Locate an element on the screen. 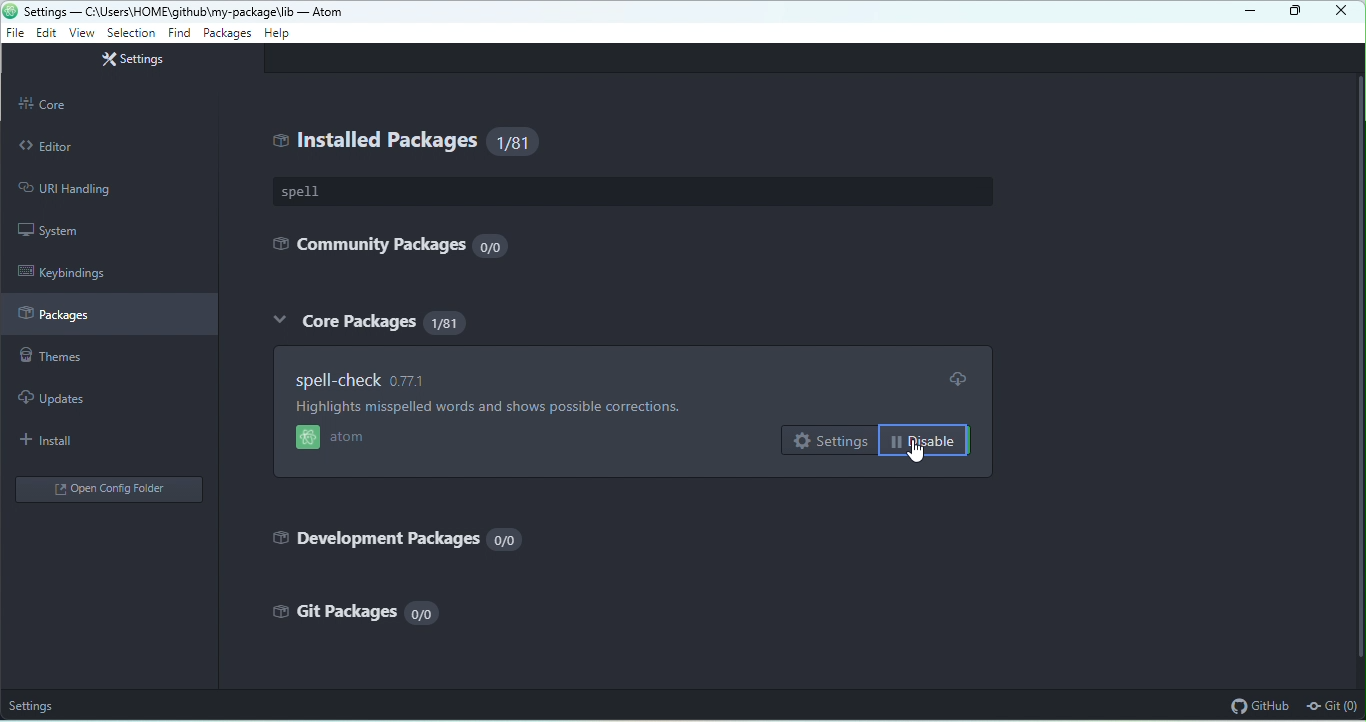 This screenshot has width=1366, height=722. core is located at coordinates (112, 105).